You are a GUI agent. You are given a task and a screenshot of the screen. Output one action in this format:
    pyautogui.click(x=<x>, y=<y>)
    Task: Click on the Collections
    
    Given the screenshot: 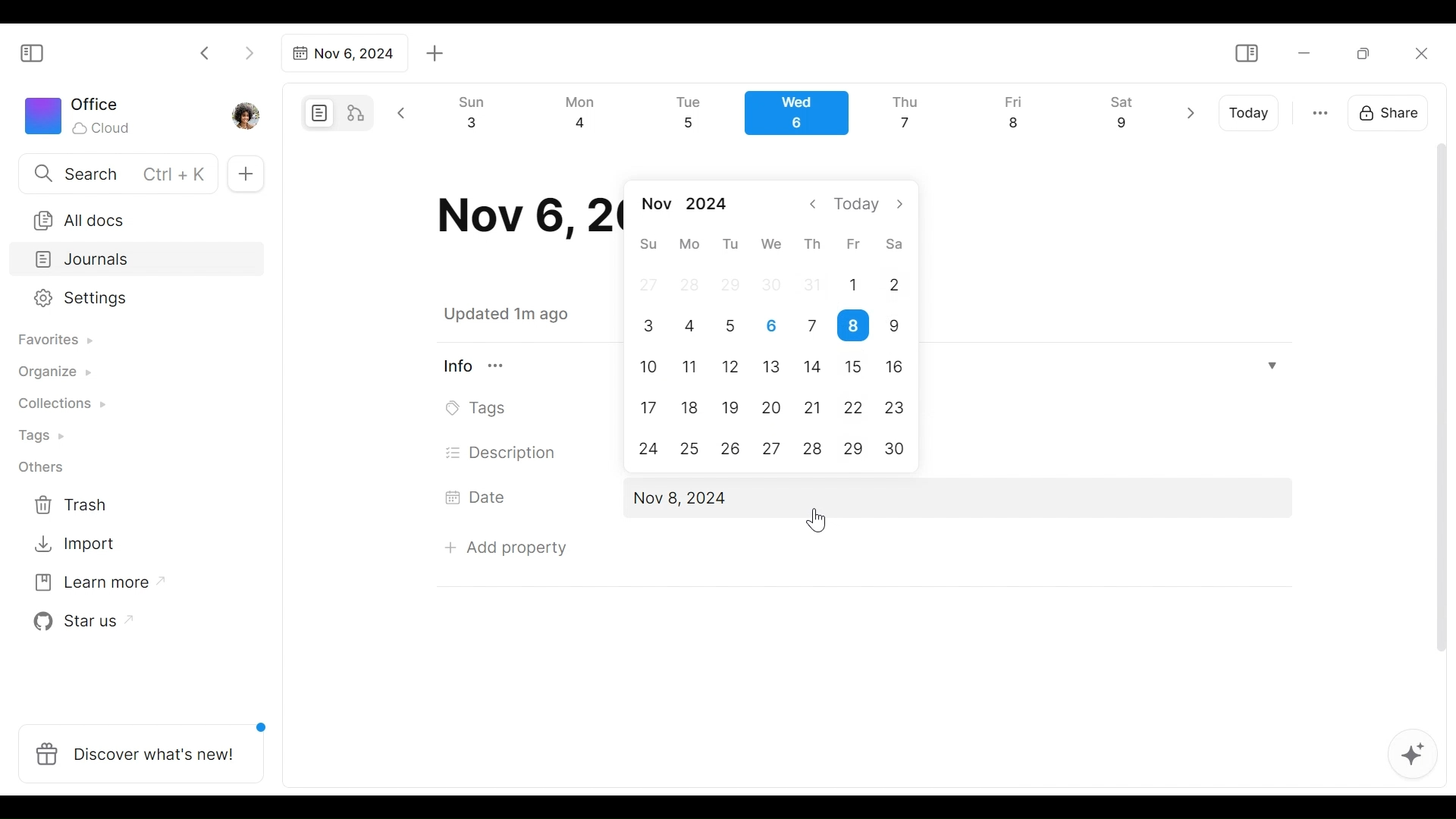 What is the action you would take?
    pyautogui.click(x=60, y=406)
    